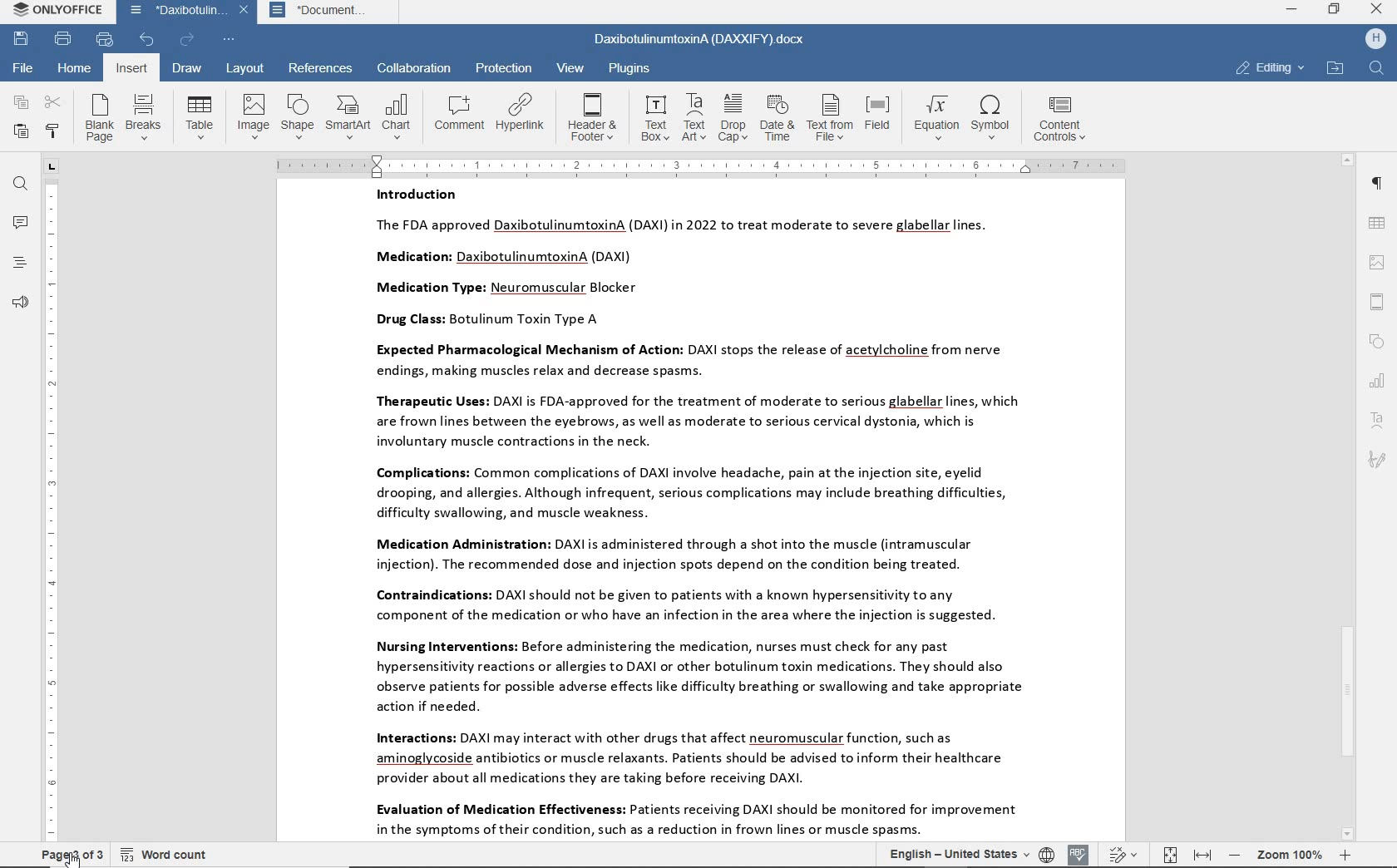  Describe the element at coordinates (1378, 224) in the screenshot. I see `table` at that location.